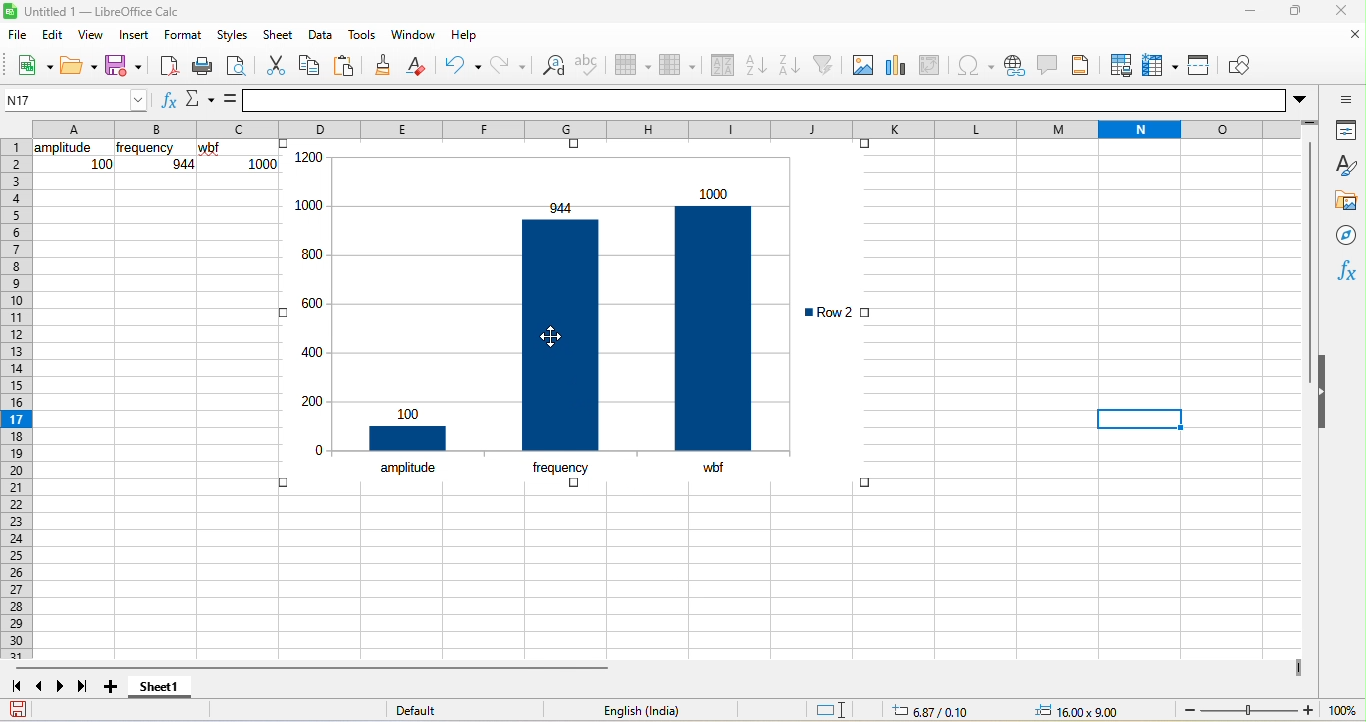 Image resolution: width=1366 pixels, height=722 pixels. Describe the element at coordinates (896, 66) in the screenshot. I see `chart` at that location.